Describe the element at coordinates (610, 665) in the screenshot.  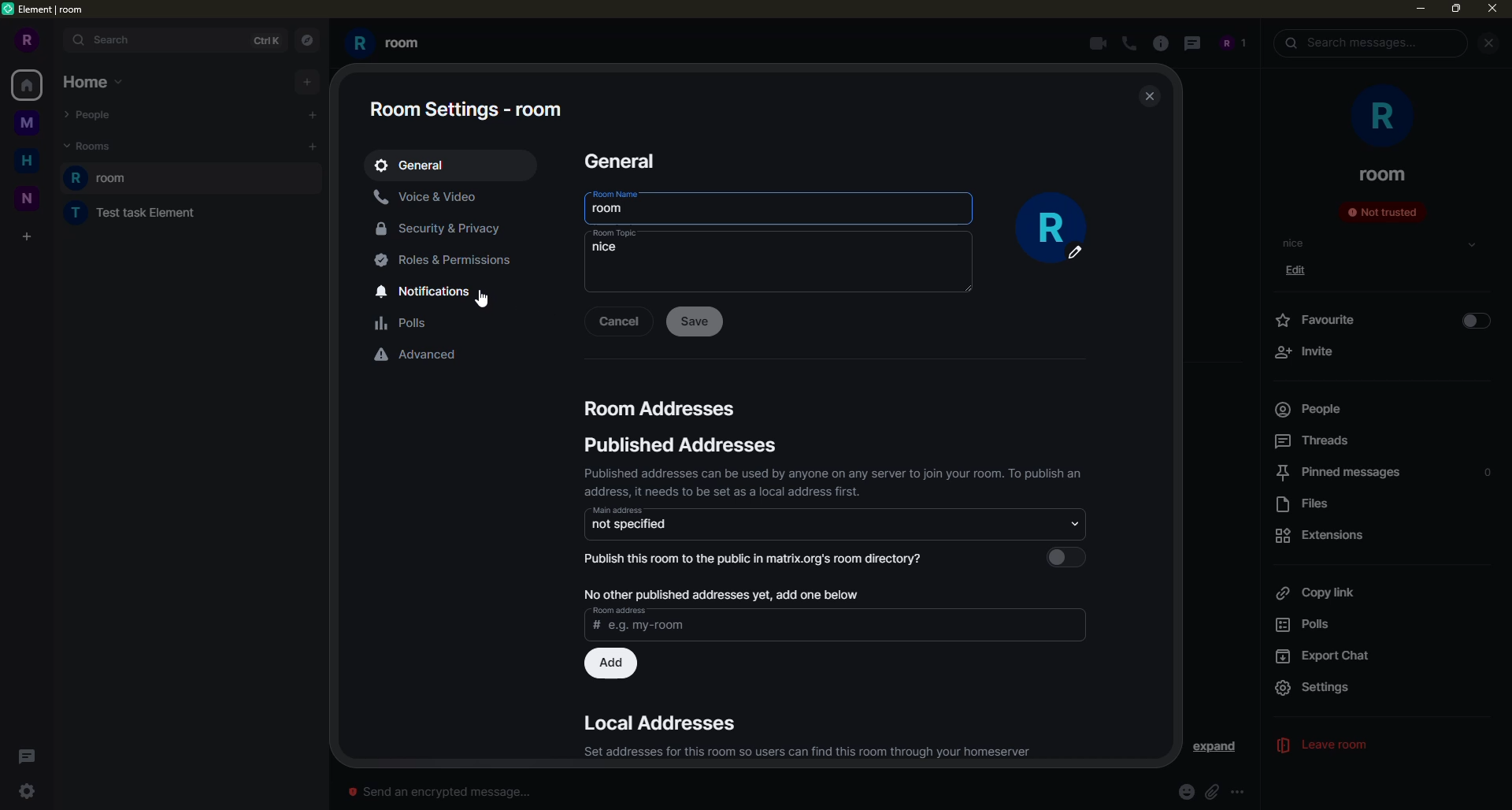
I see `add` at that location.